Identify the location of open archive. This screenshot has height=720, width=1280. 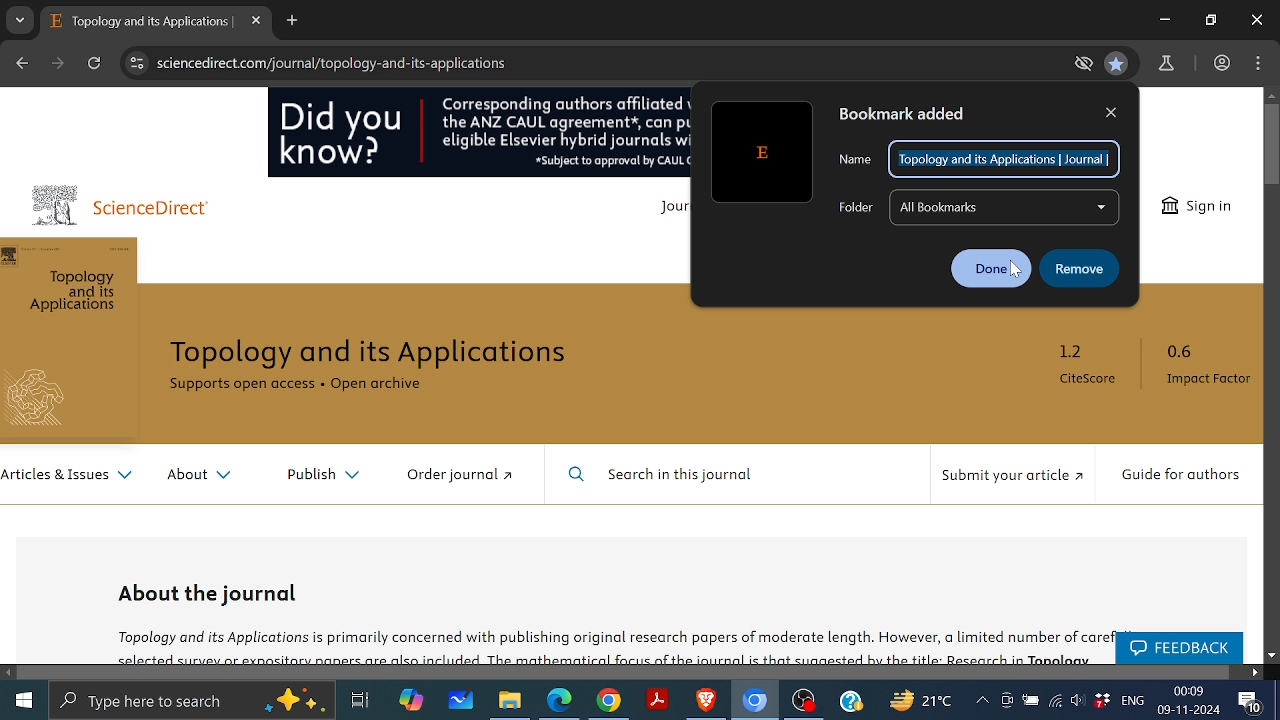
(393, 388).